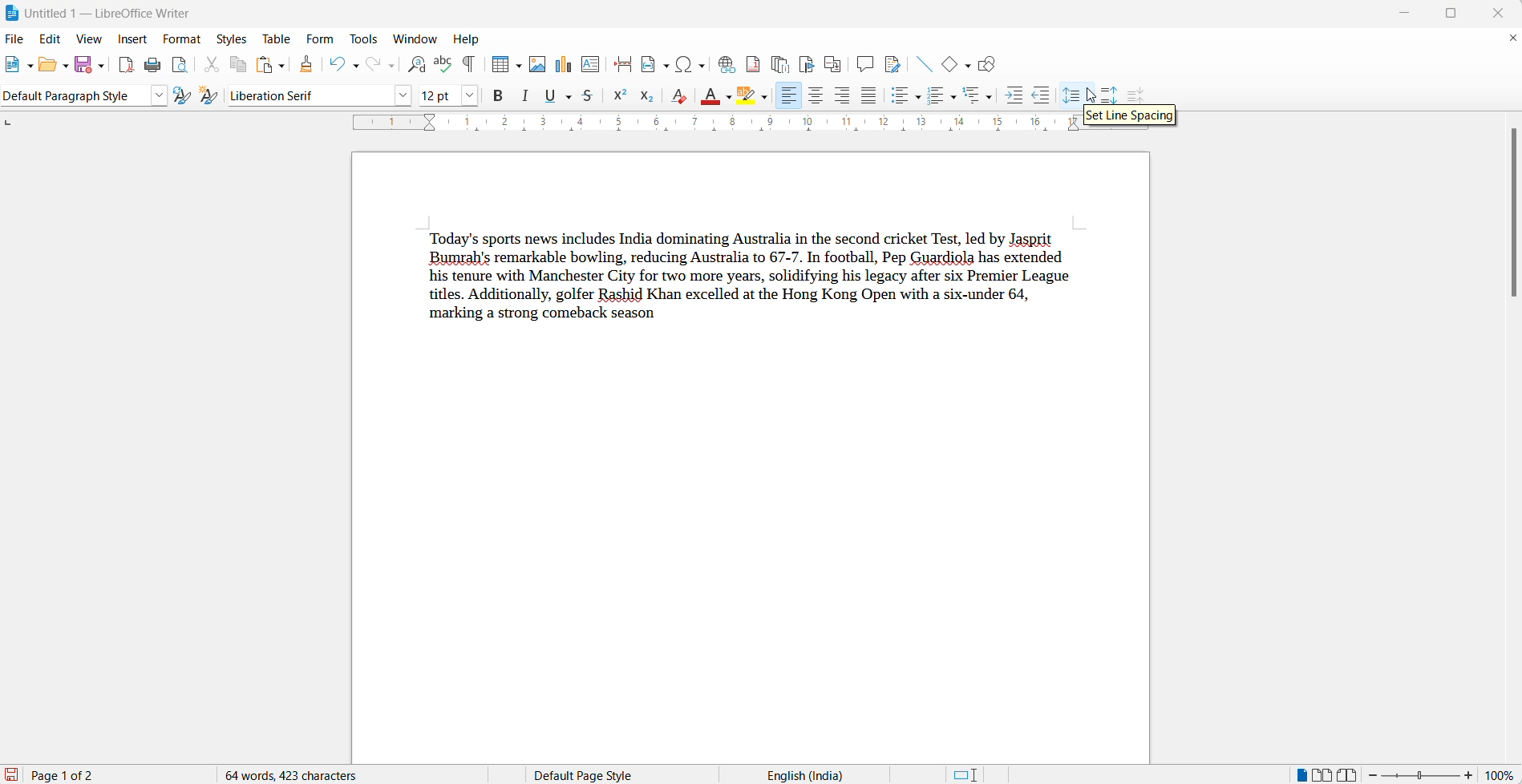 Image resolution: width=1522 pixels, height=784 pixels. What do you see at coordinates (323, 38) in the screenshot?
I see `form` at bounding box center [323, 38].